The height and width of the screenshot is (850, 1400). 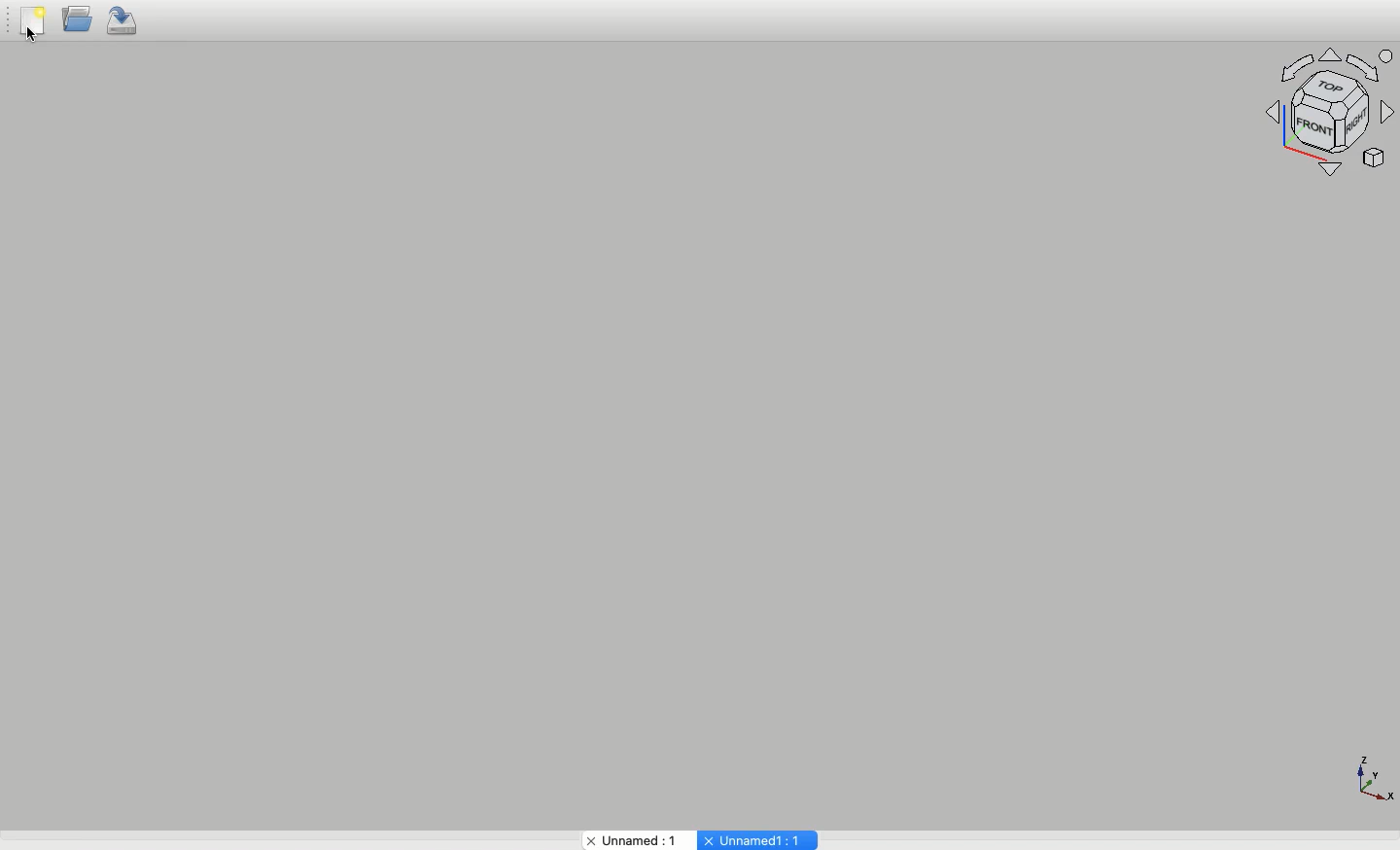 What do you see at coordinates (32, 24) in the screenshot?
I see `New` at bounding box center [32, 24].